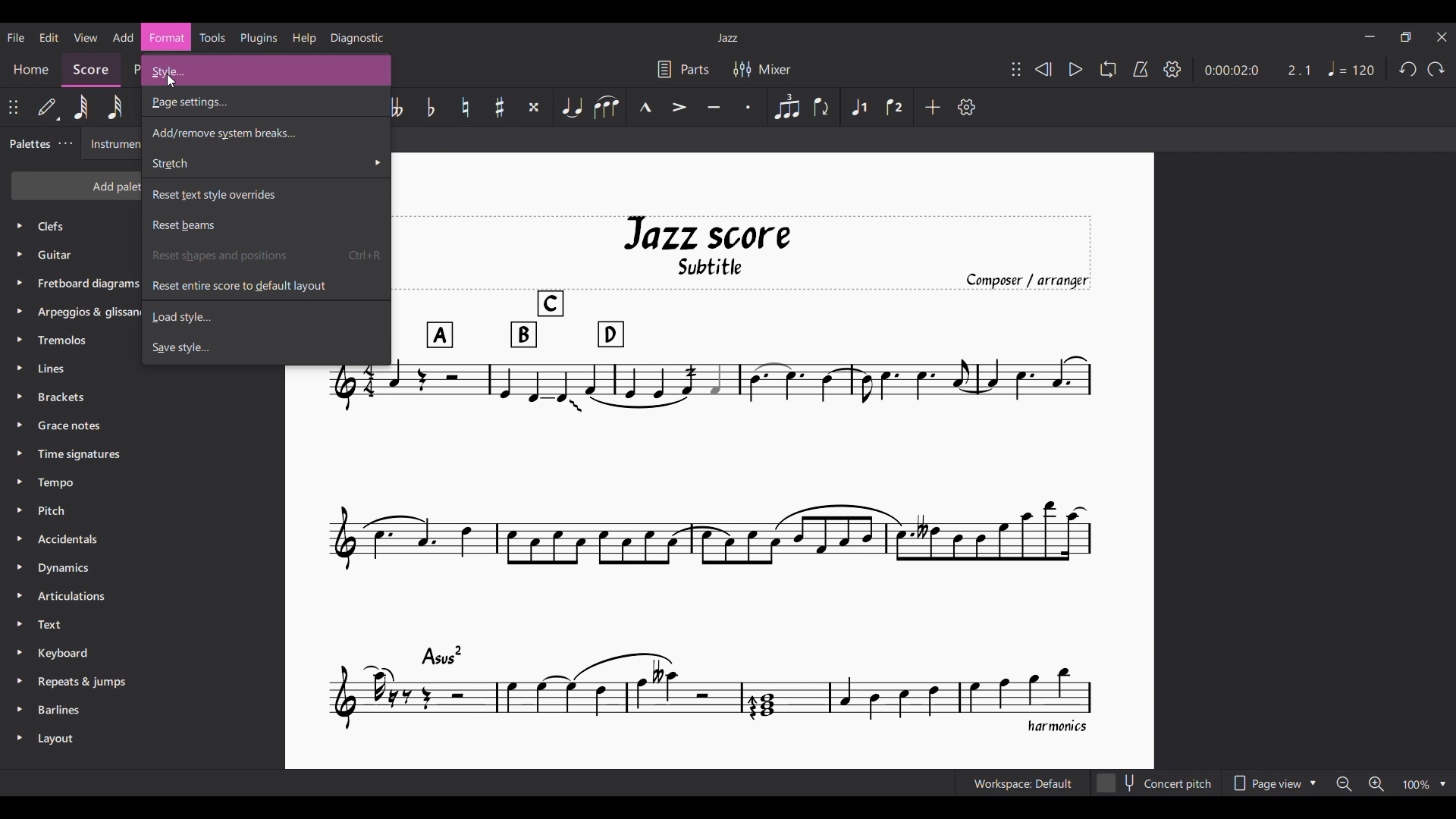 The image size is (1456, 819). Describe the element at coordinates (72, 598) in the screenshot. I see `Articulation` at that location.